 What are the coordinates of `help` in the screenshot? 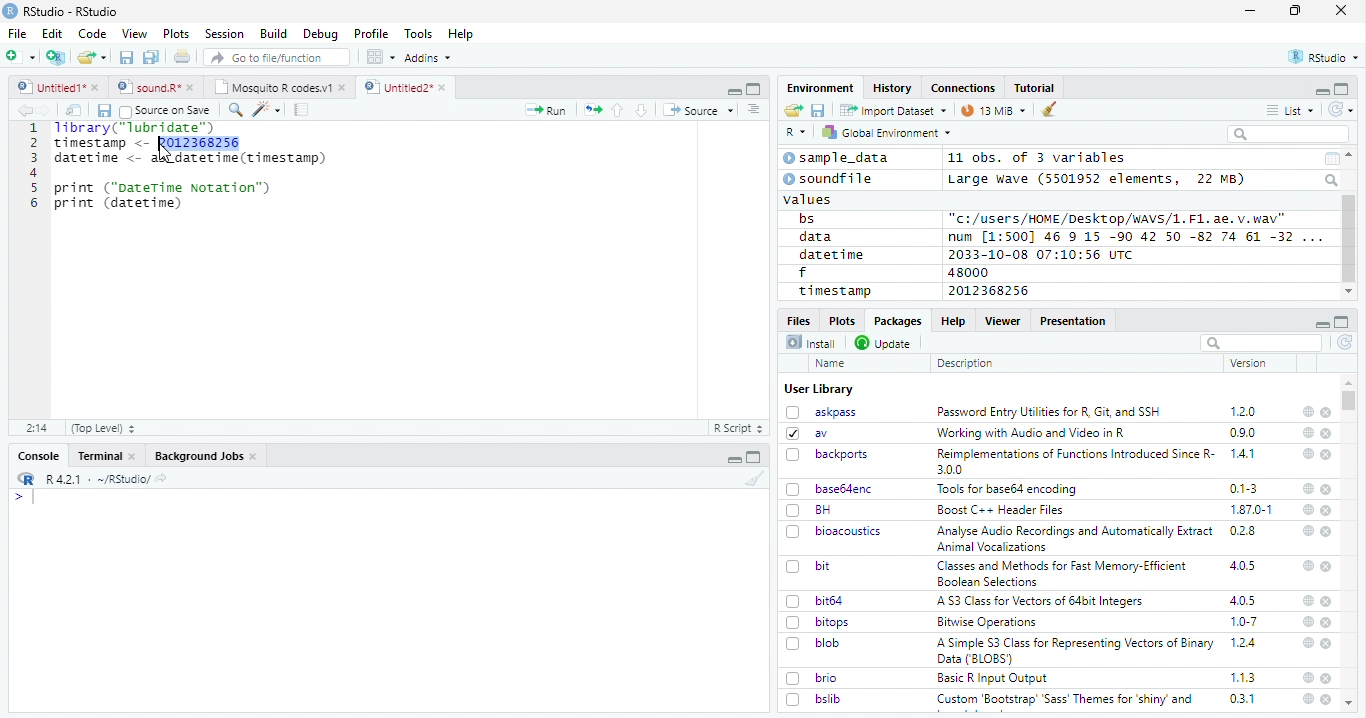 It's located at (1308, 489).